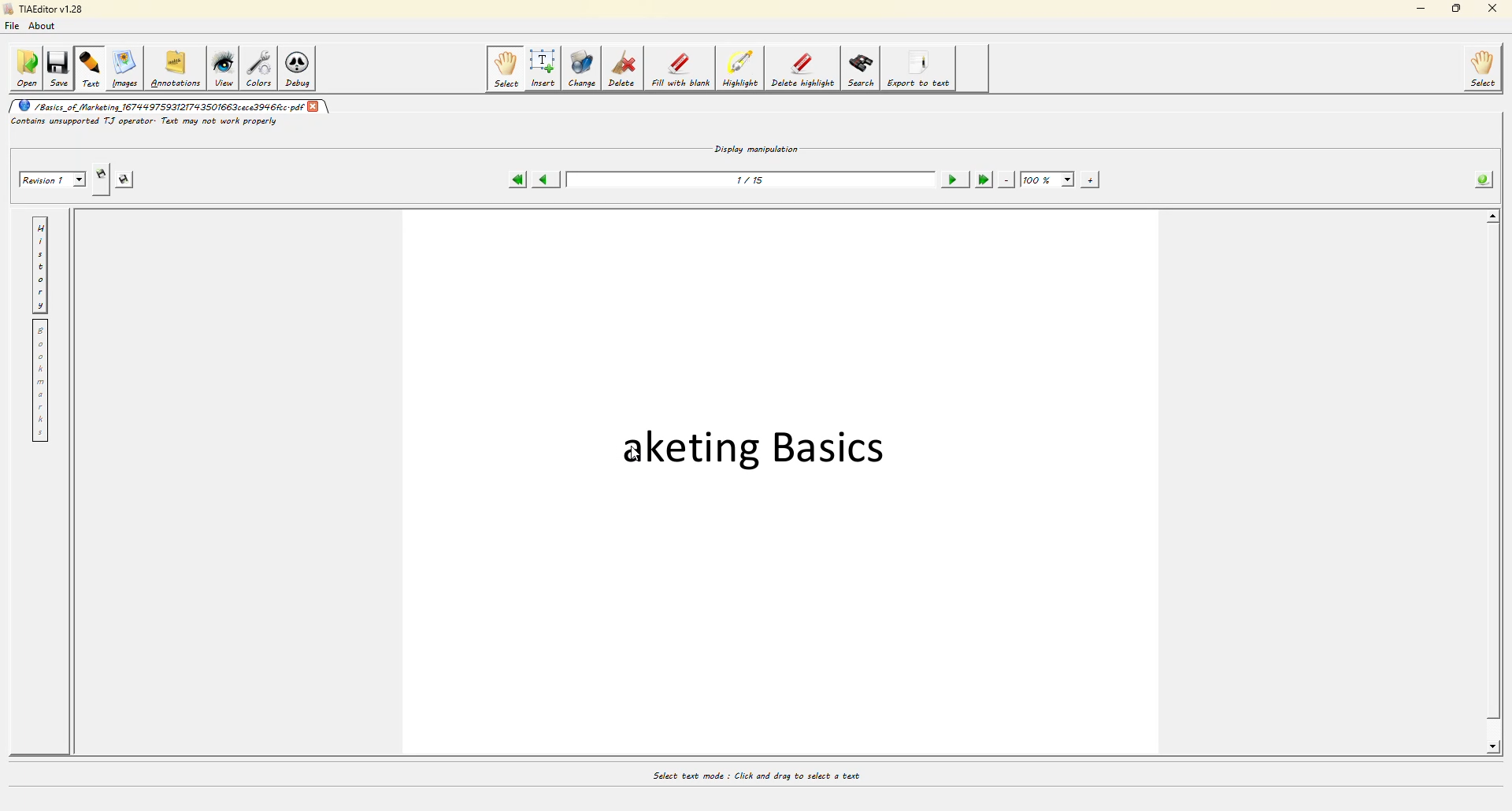 The width and height of the screenshot is (1512, 811). Describe the element at coordinates (1458, 8) in the screenshot. I see `maximize` at that location.